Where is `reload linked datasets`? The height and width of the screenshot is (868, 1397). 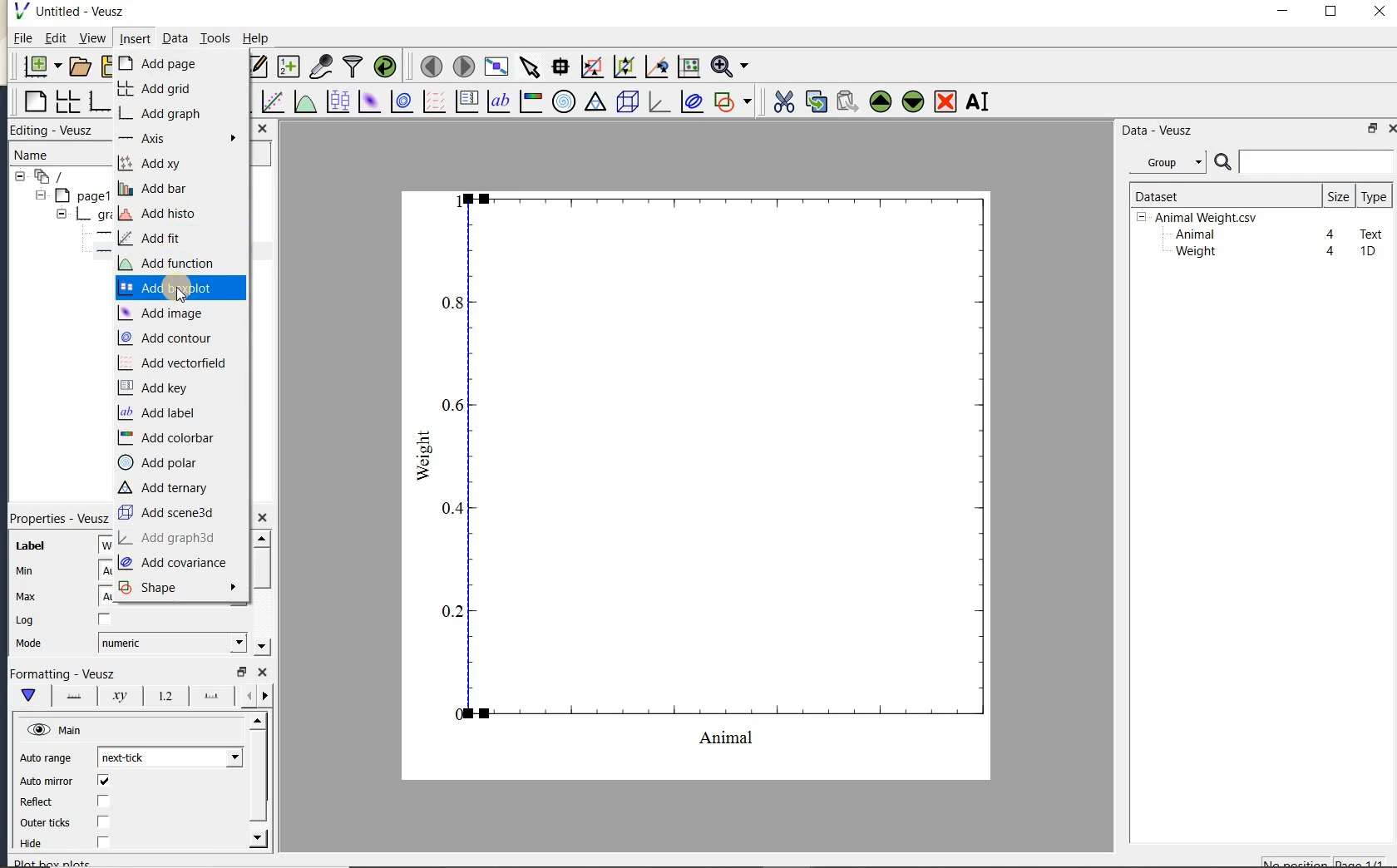 reload linked datasets is located at coordinates (385, 65).